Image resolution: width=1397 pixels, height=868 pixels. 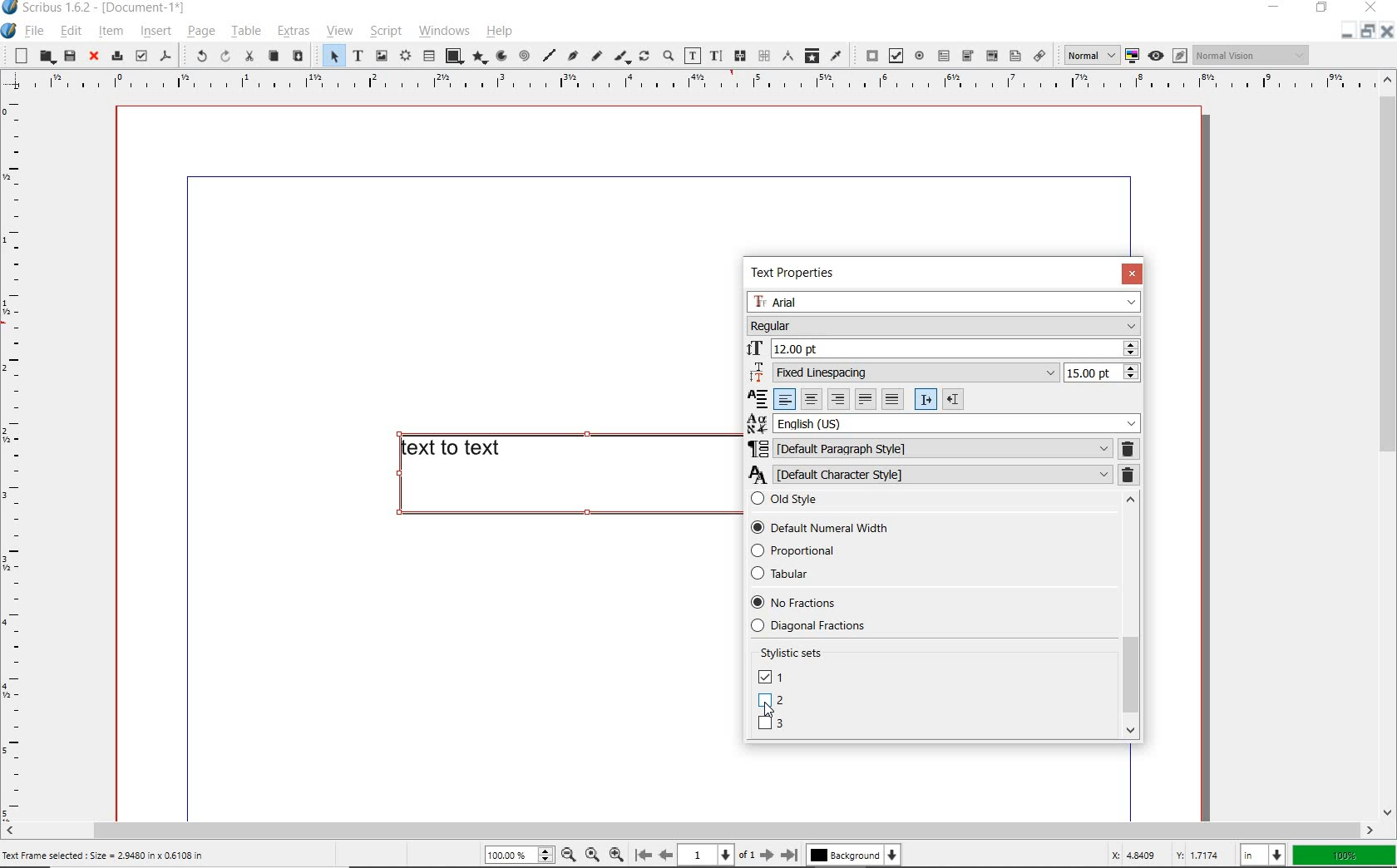 What do you see at coordinates (1345, 856) in the screenshot?
I see `100%` at bounding box center [1345, 856].